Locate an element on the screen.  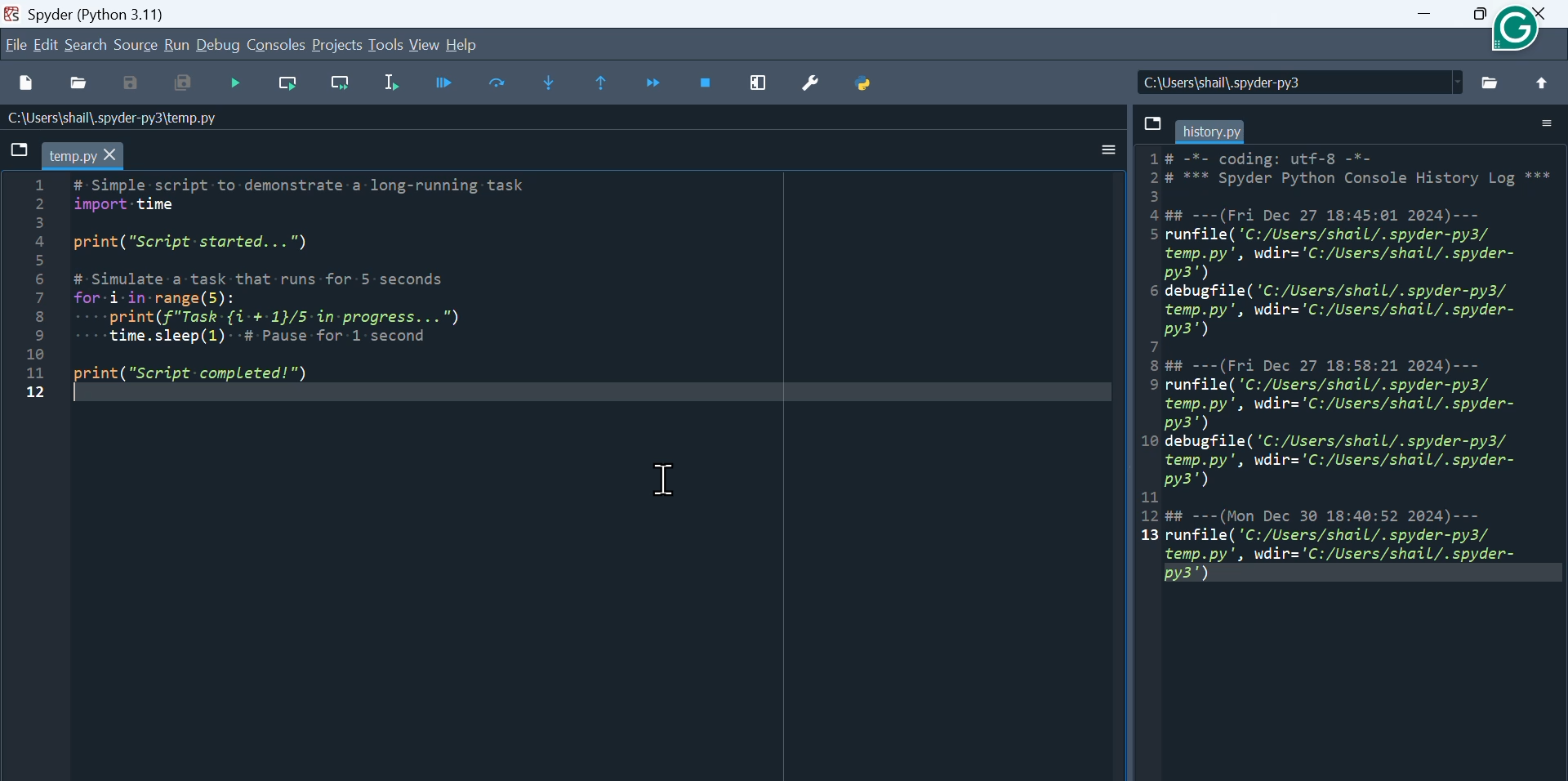
C:\Users\shail\.spyder-py3 is located at coordinates (1267, 83).